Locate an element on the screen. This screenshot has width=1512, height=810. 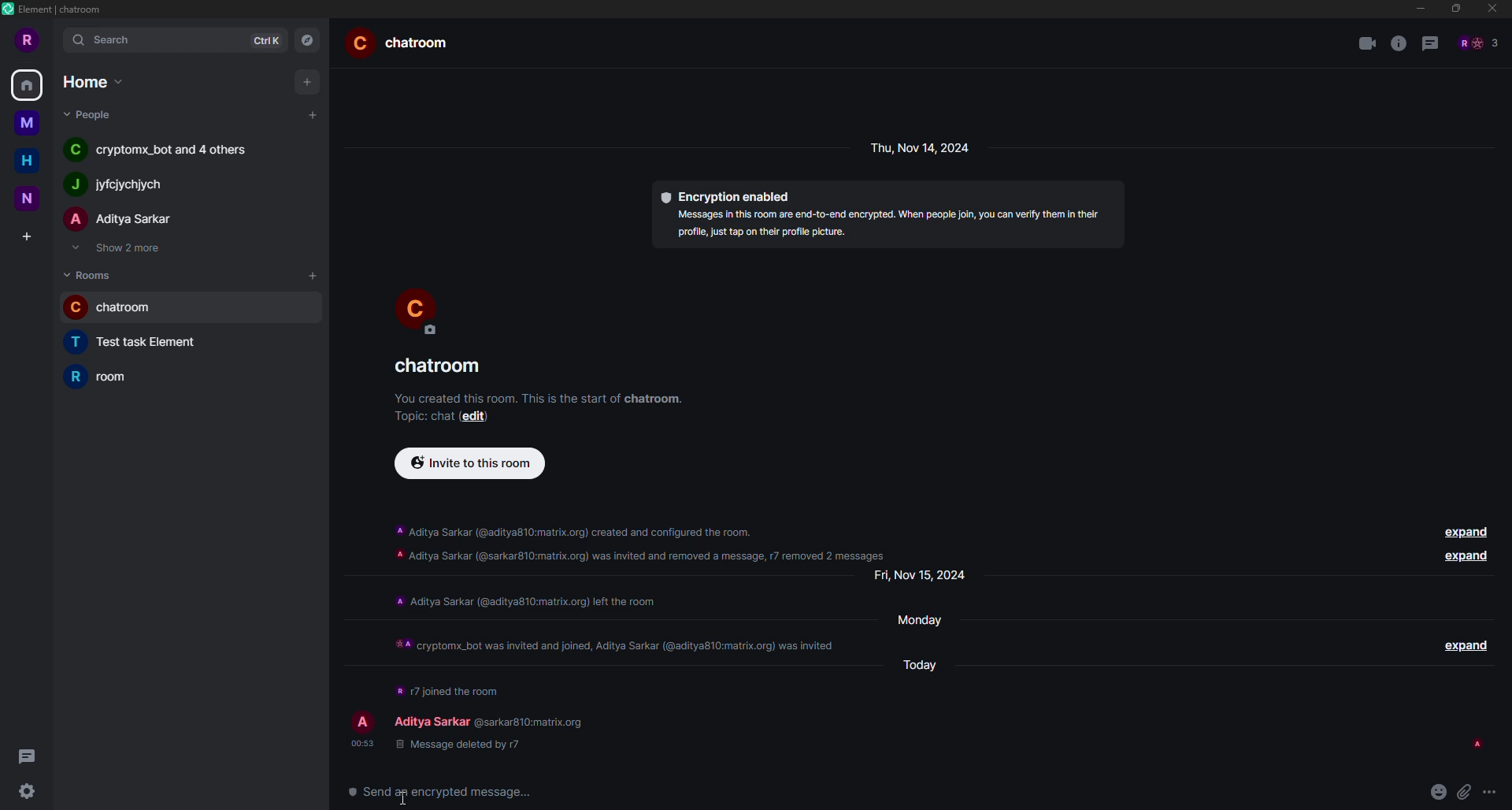
ctrlK is located at coordinates (263, 40).